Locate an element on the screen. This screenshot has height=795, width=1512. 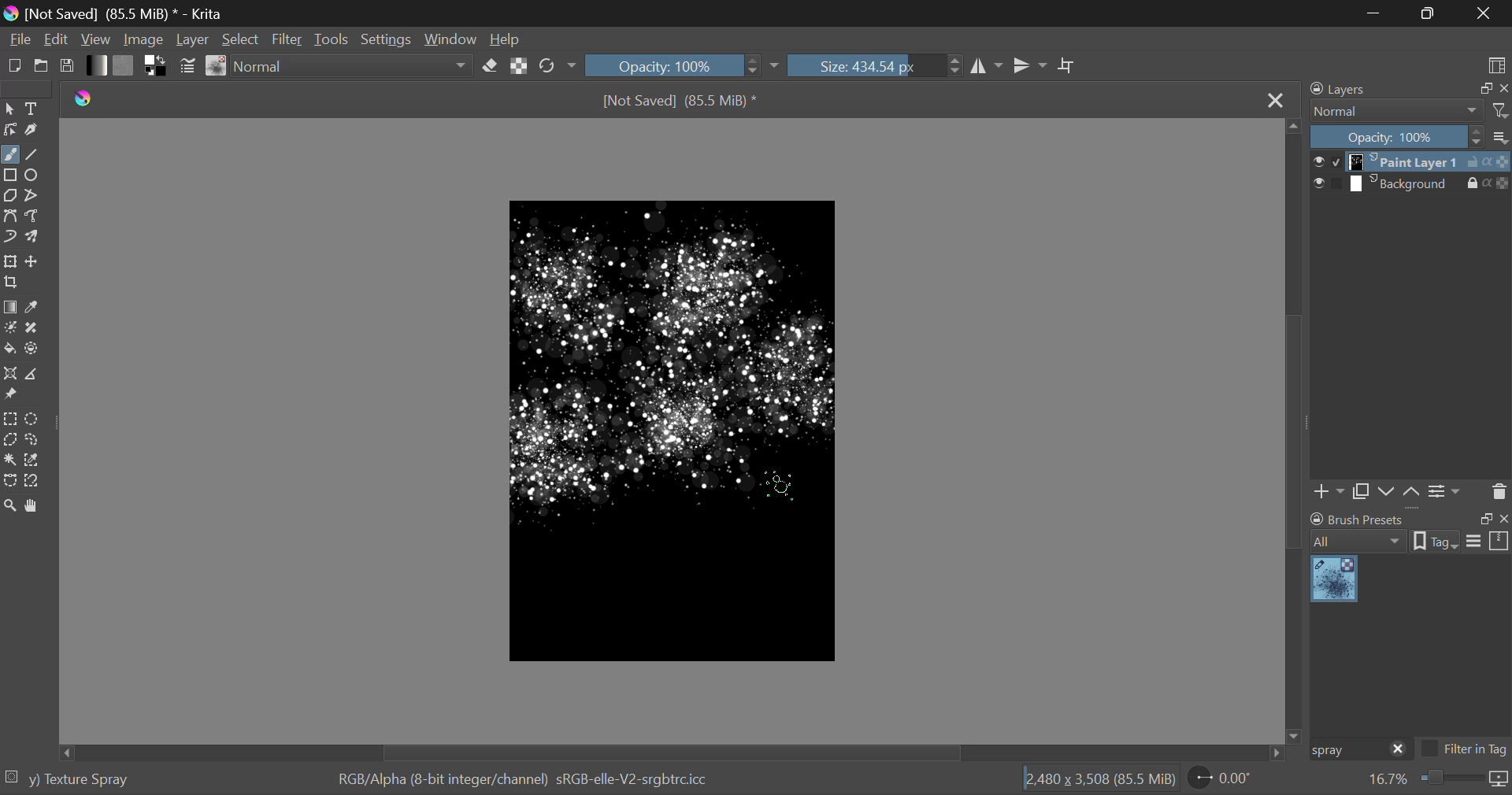
Opacity is located at coordinates (684, 65).